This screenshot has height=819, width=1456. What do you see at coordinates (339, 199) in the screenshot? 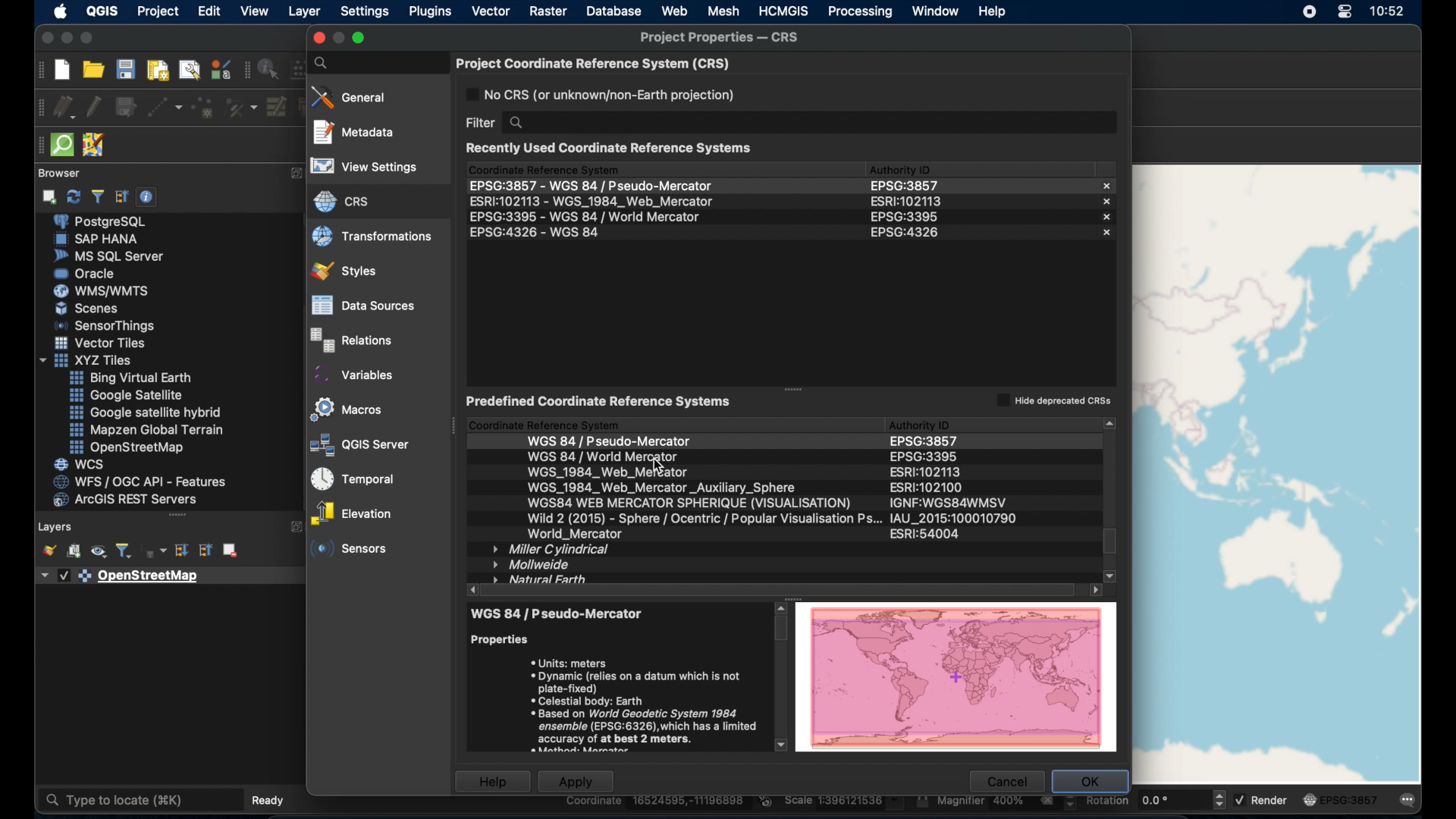
I see `crs` at bounding box center [339, 199].